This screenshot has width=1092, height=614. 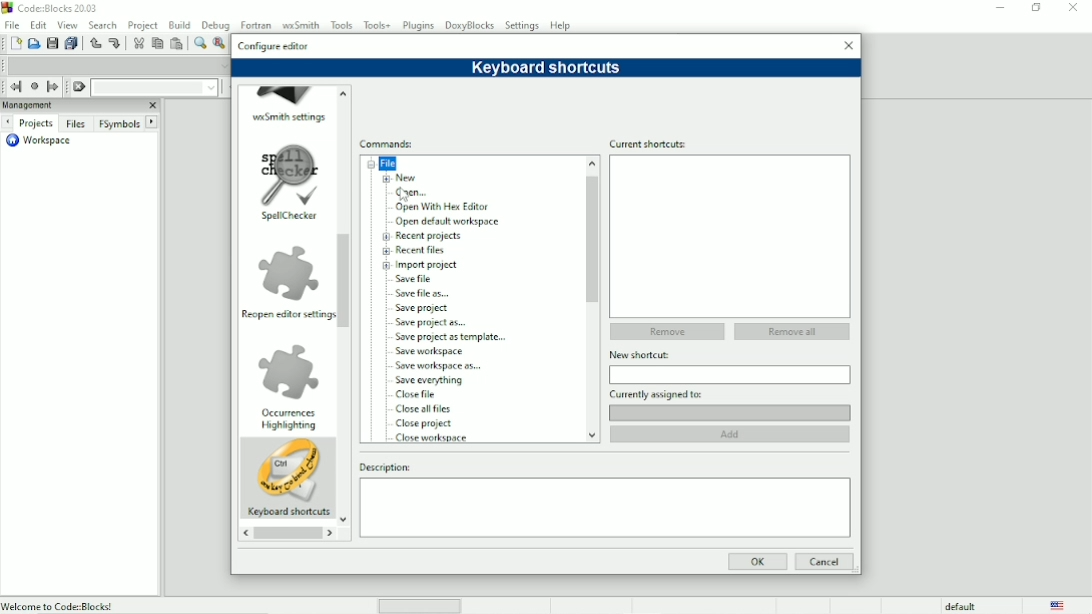 What do you see at coordinates (605, 507) in the screenshot?
I see `` at bounding box center [605, 507].